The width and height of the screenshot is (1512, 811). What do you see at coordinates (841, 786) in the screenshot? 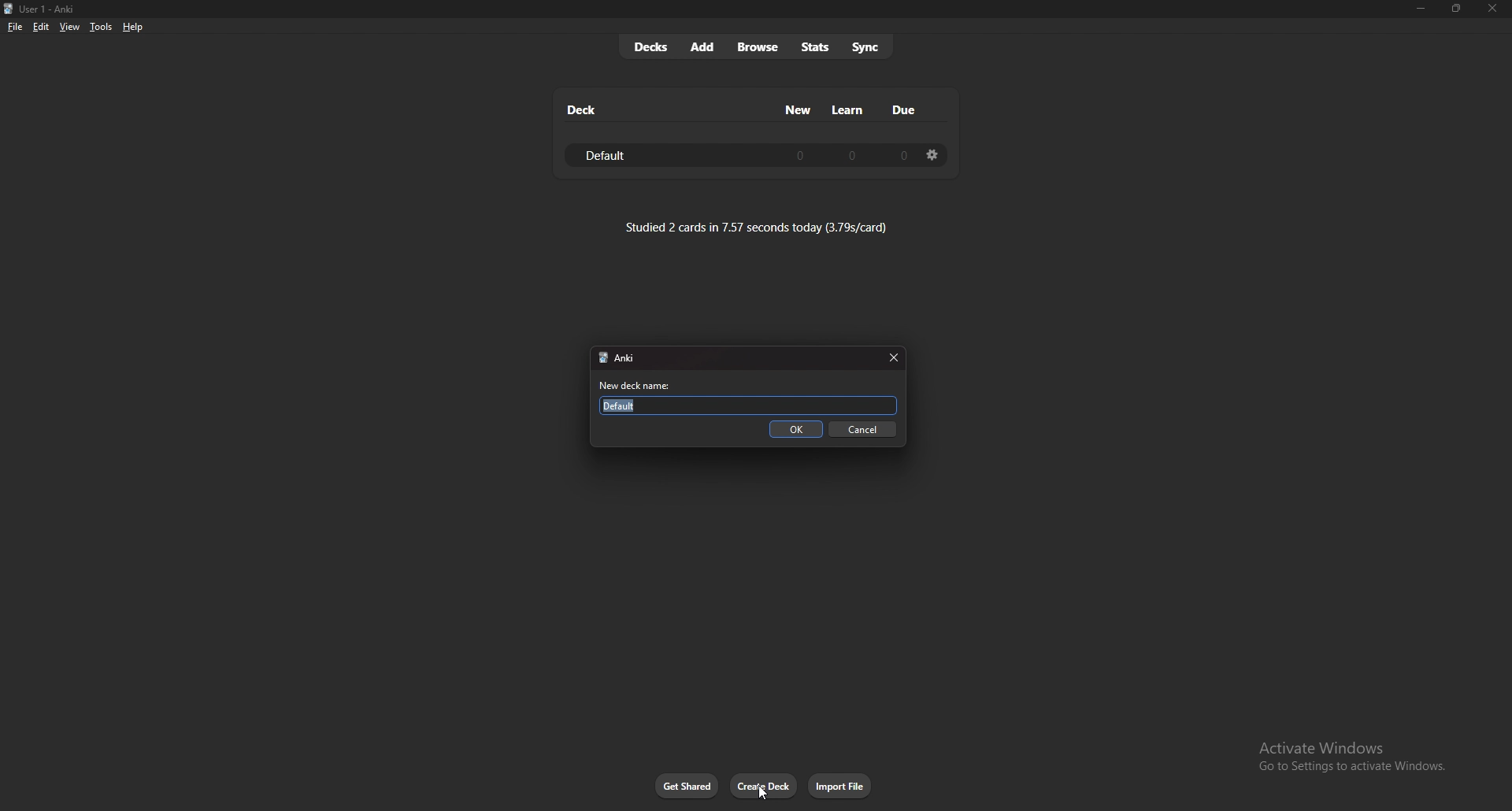
I see `import file` at bounding box center [841, 786].